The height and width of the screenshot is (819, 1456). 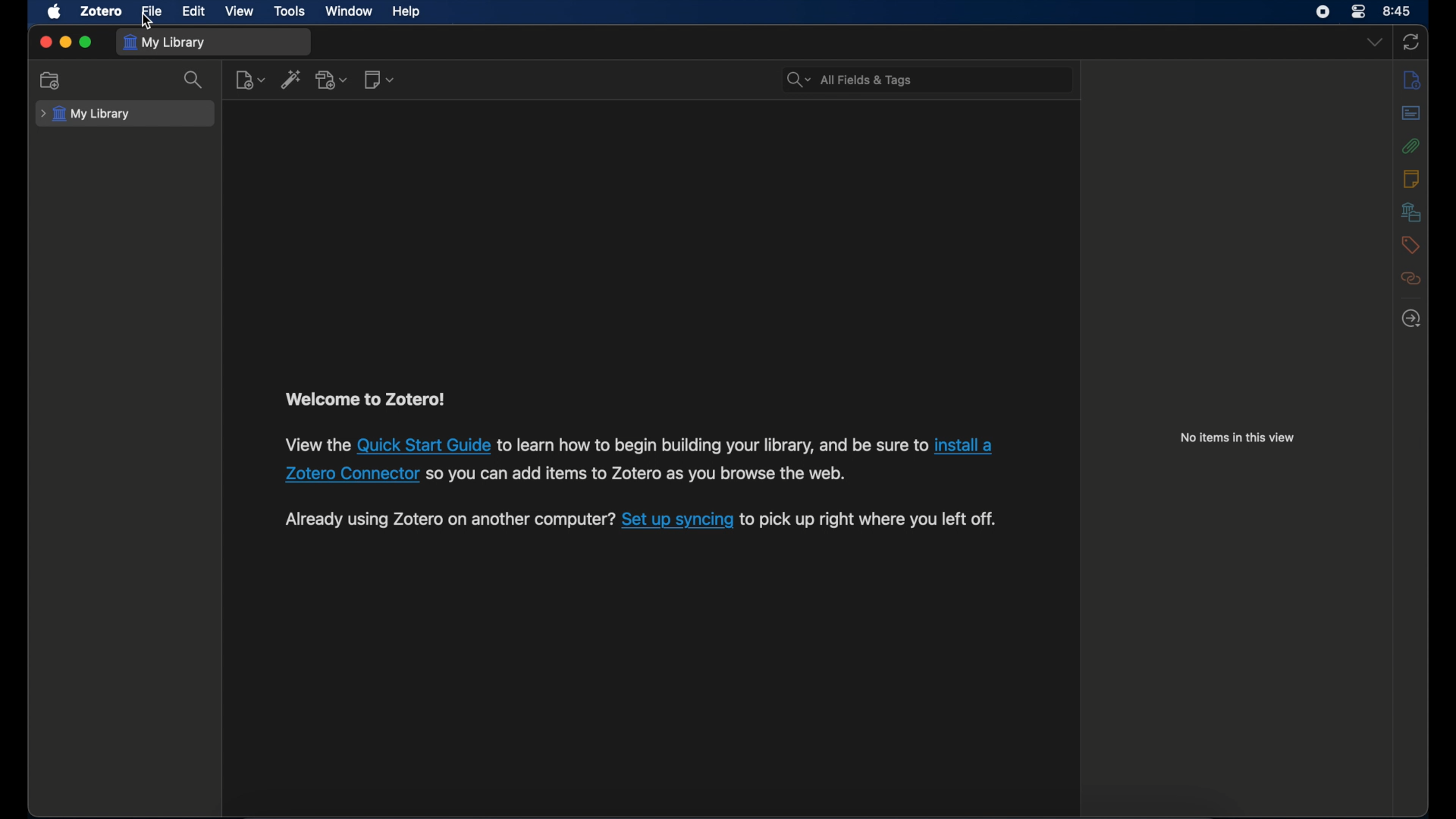 I want to click on maximize, so click(x=87, y=43).